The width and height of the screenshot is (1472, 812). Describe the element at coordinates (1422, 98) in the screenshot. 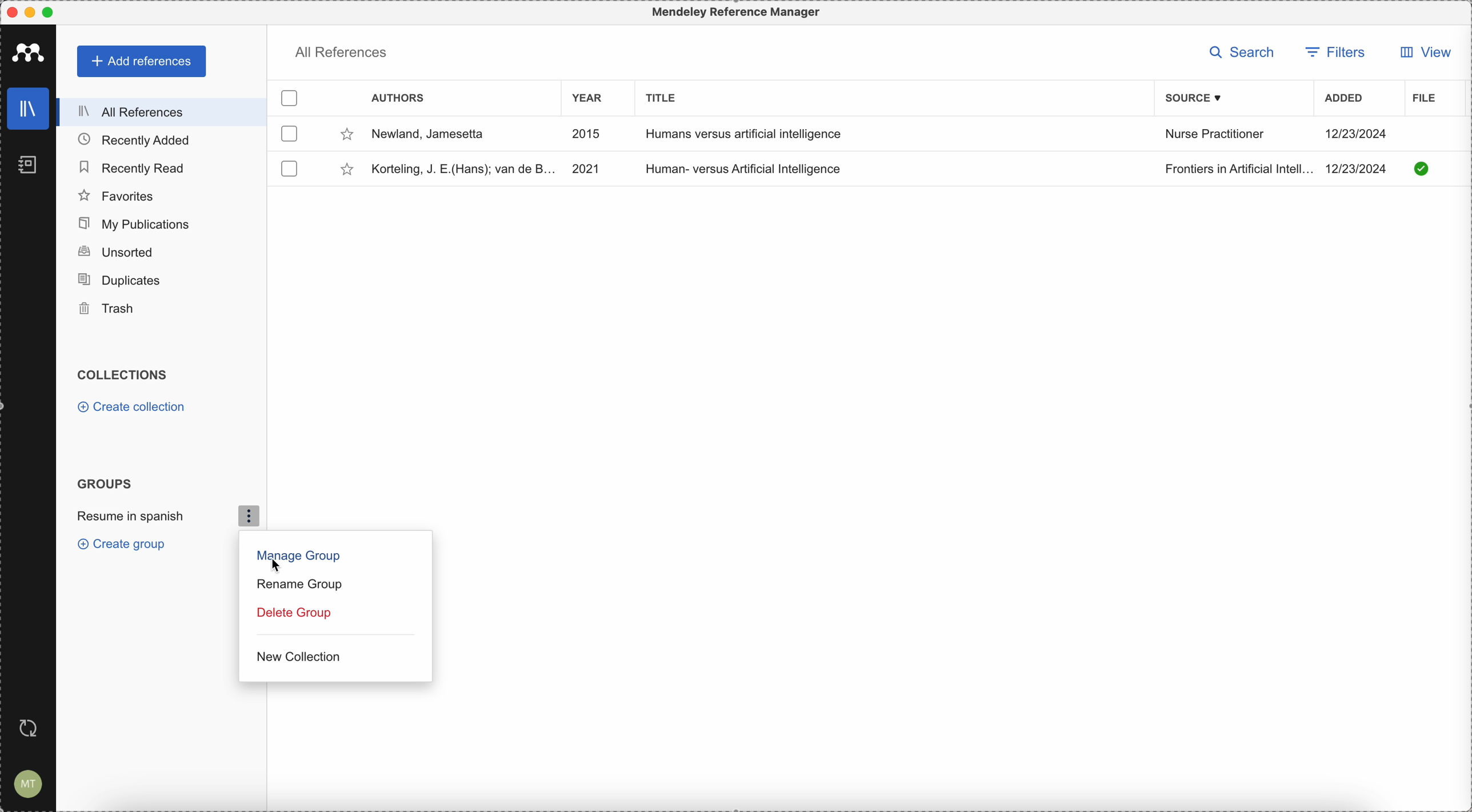

I see `file` at that location.